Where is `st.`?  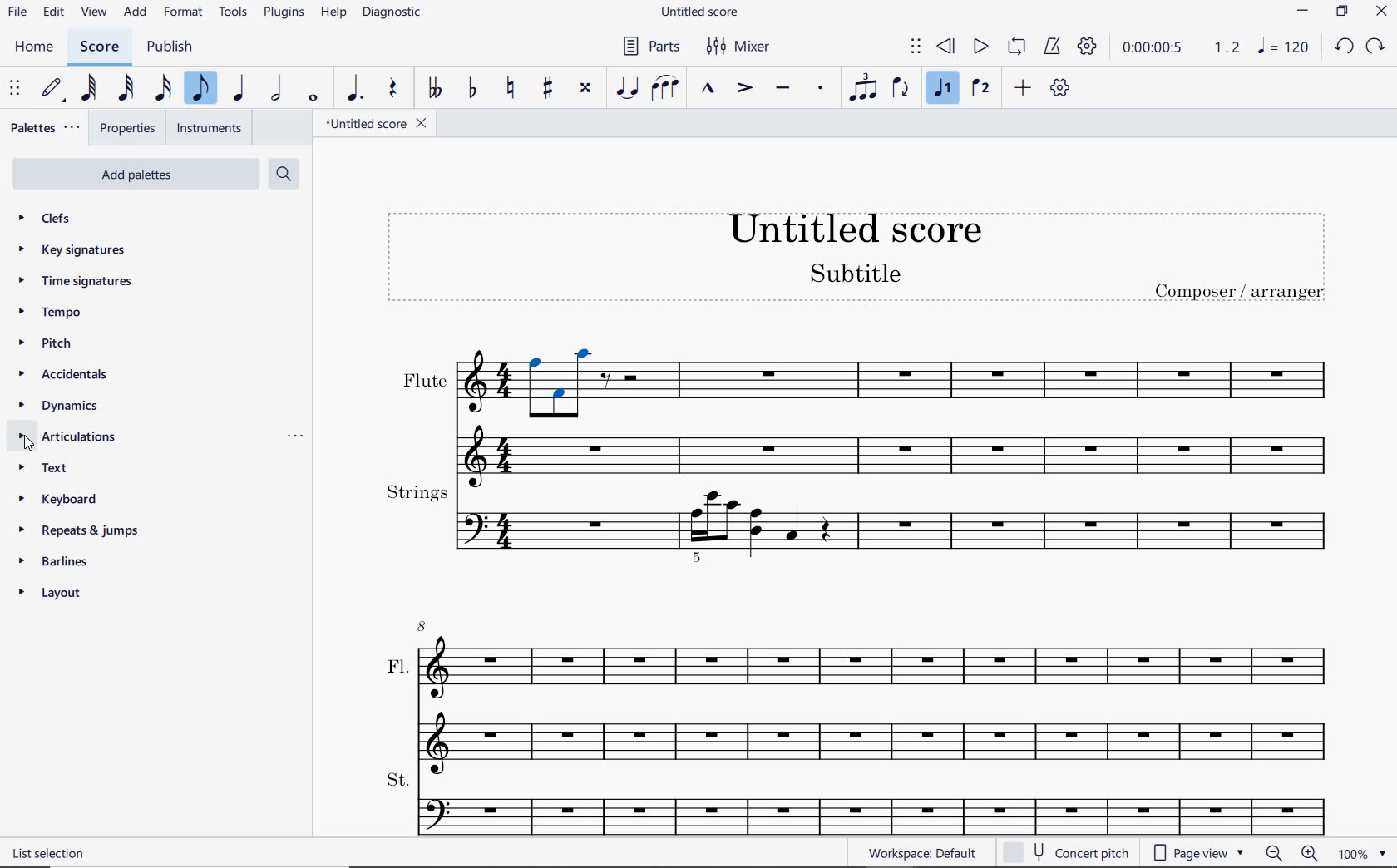 st. is located at coordinates (875, 801).